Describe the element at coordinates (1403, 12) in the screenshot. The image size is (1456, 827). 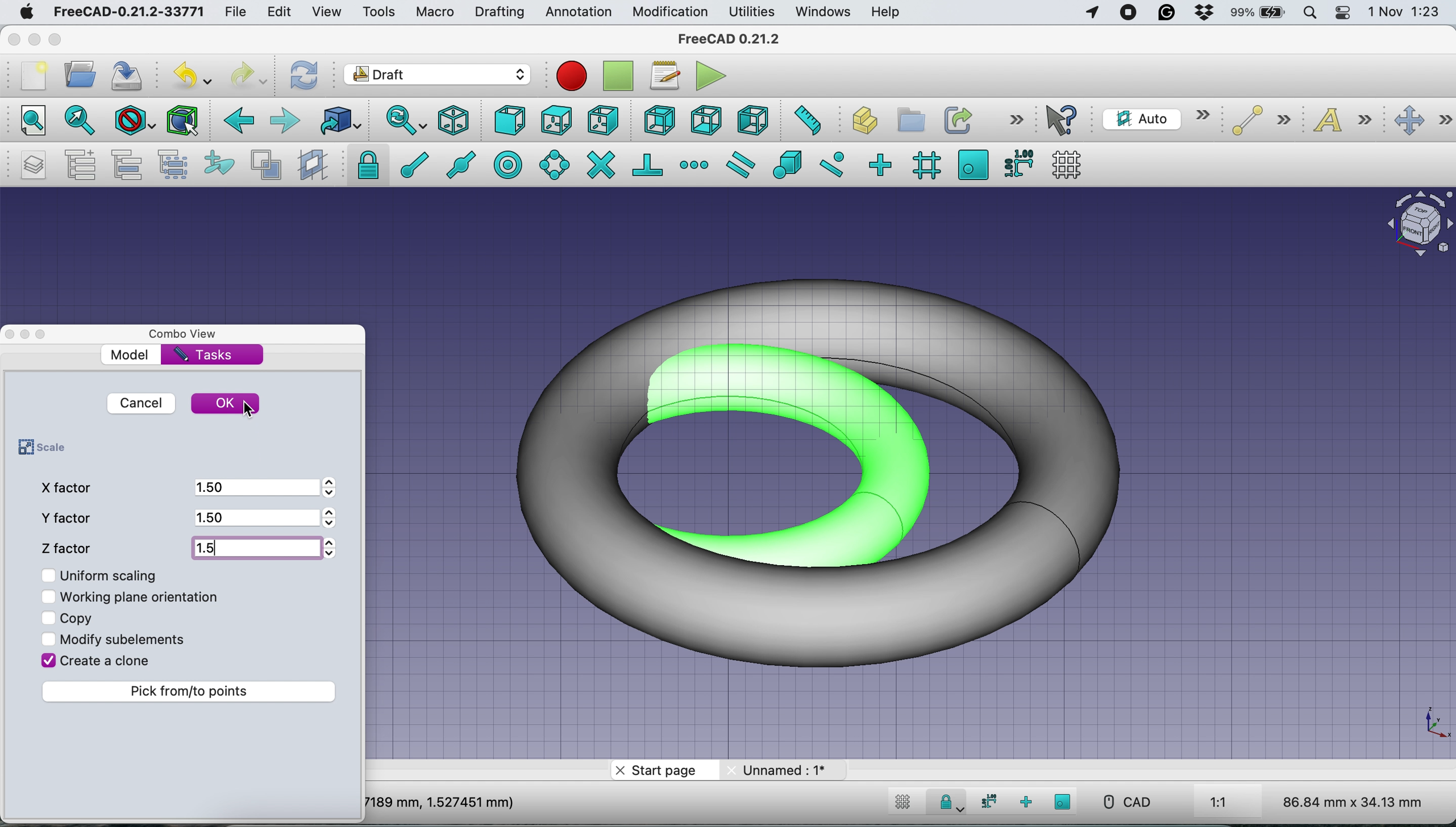
I see `1 Nov 1:23` at that location.